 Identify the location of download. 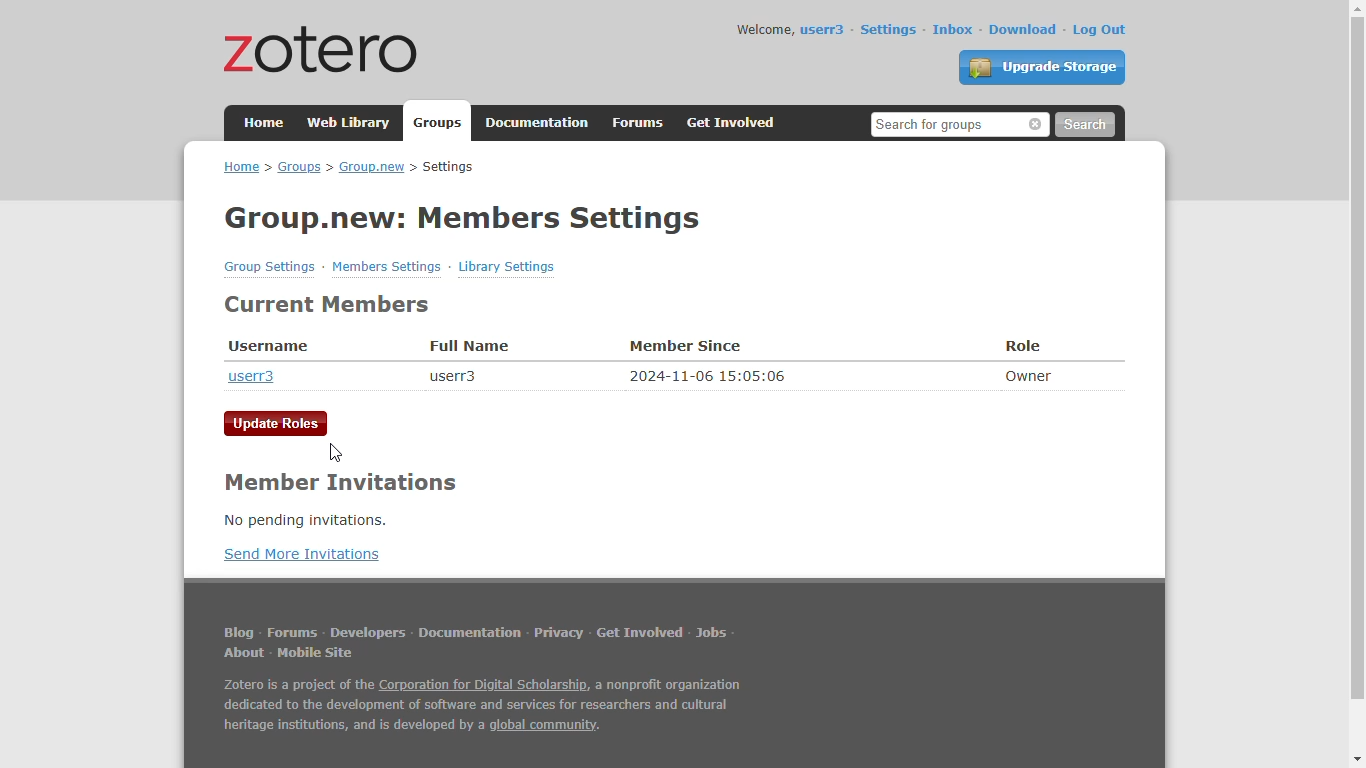
(1024, 29).